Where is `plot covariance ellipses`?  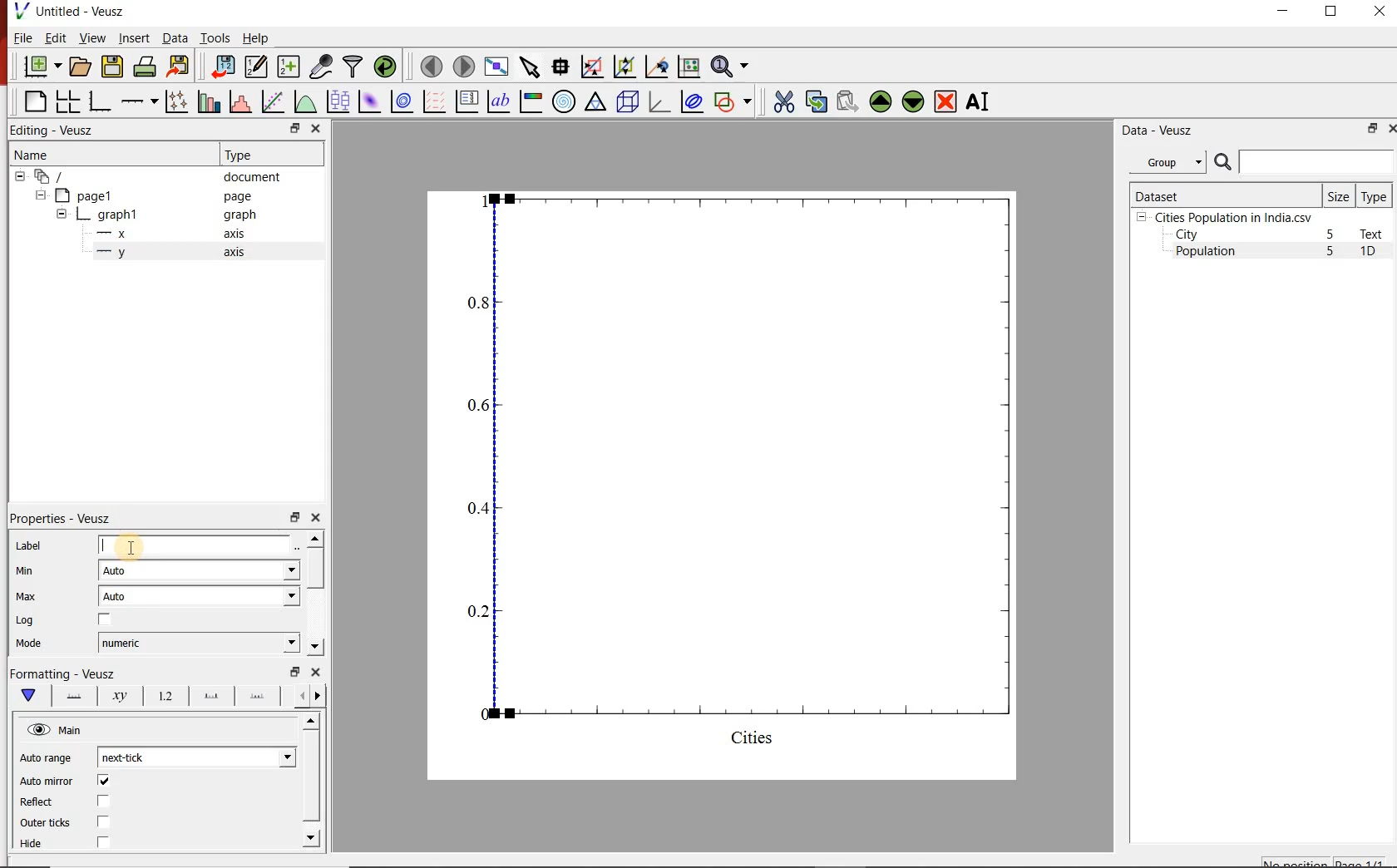
plot covariance ellipses is located at coordinates (692, 102).